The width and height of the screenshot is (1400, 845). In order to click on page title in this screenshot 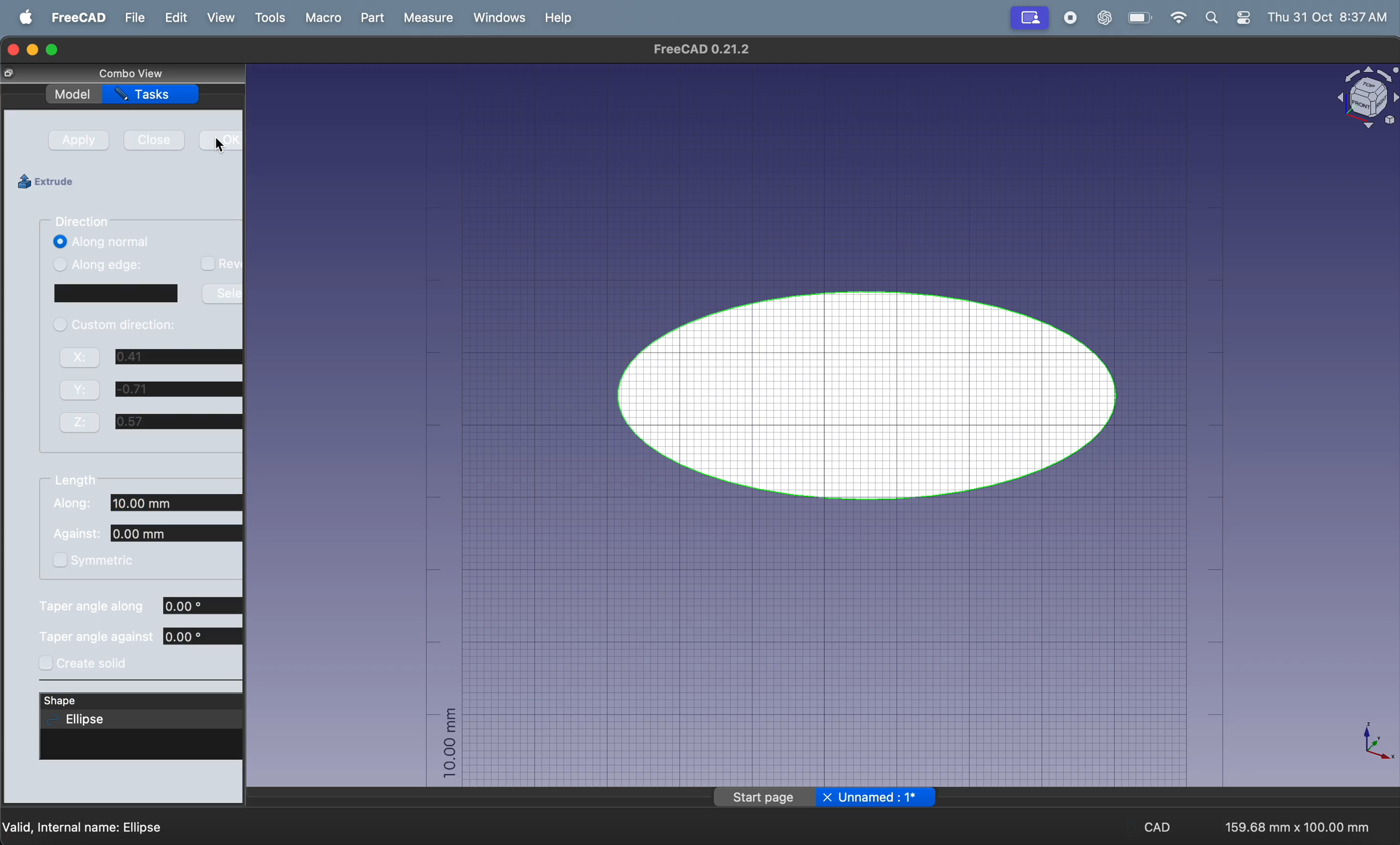, I will do `click(823, 798)`.